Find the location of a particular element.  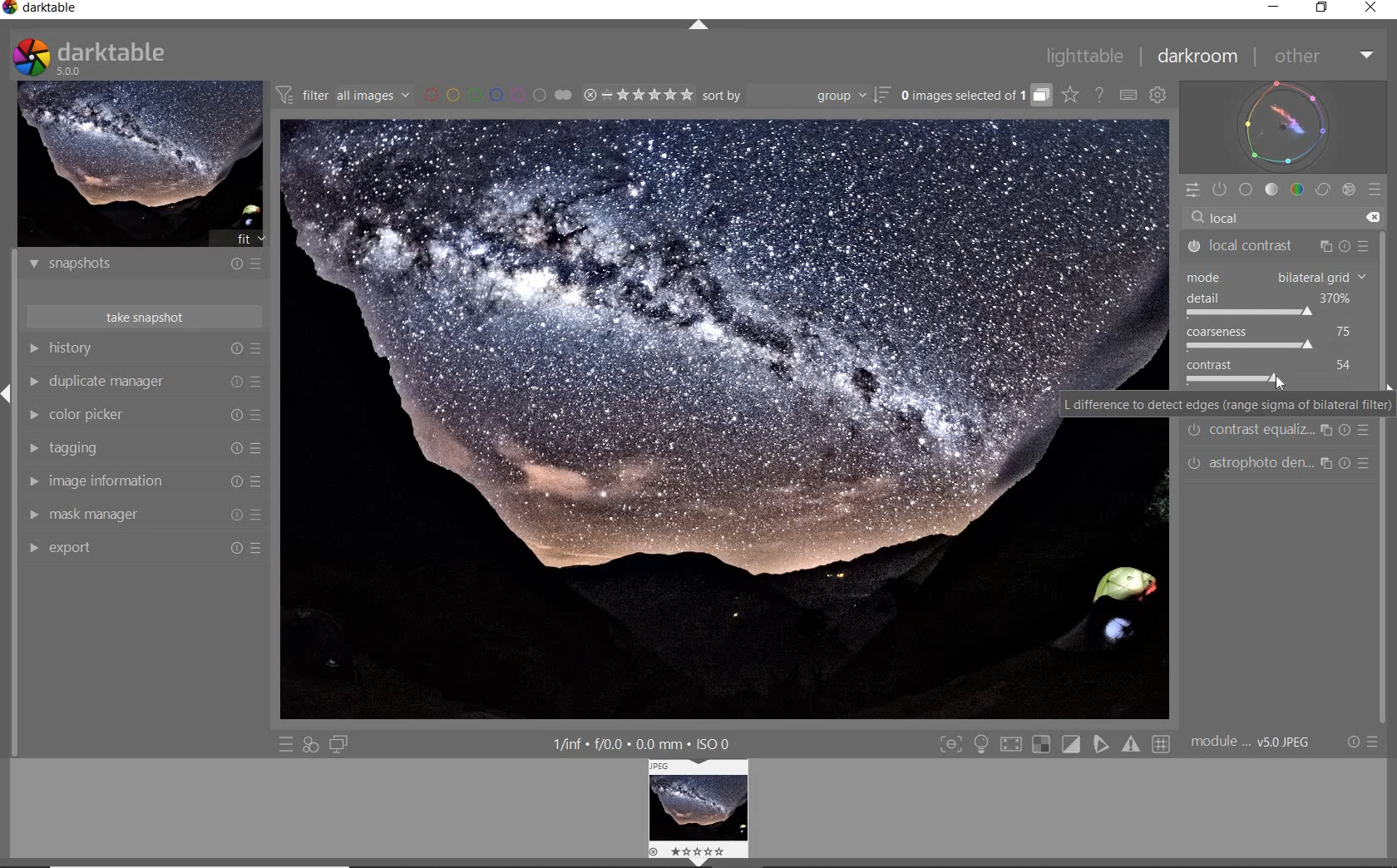

EXPAND is located at coordinates (8, 392).